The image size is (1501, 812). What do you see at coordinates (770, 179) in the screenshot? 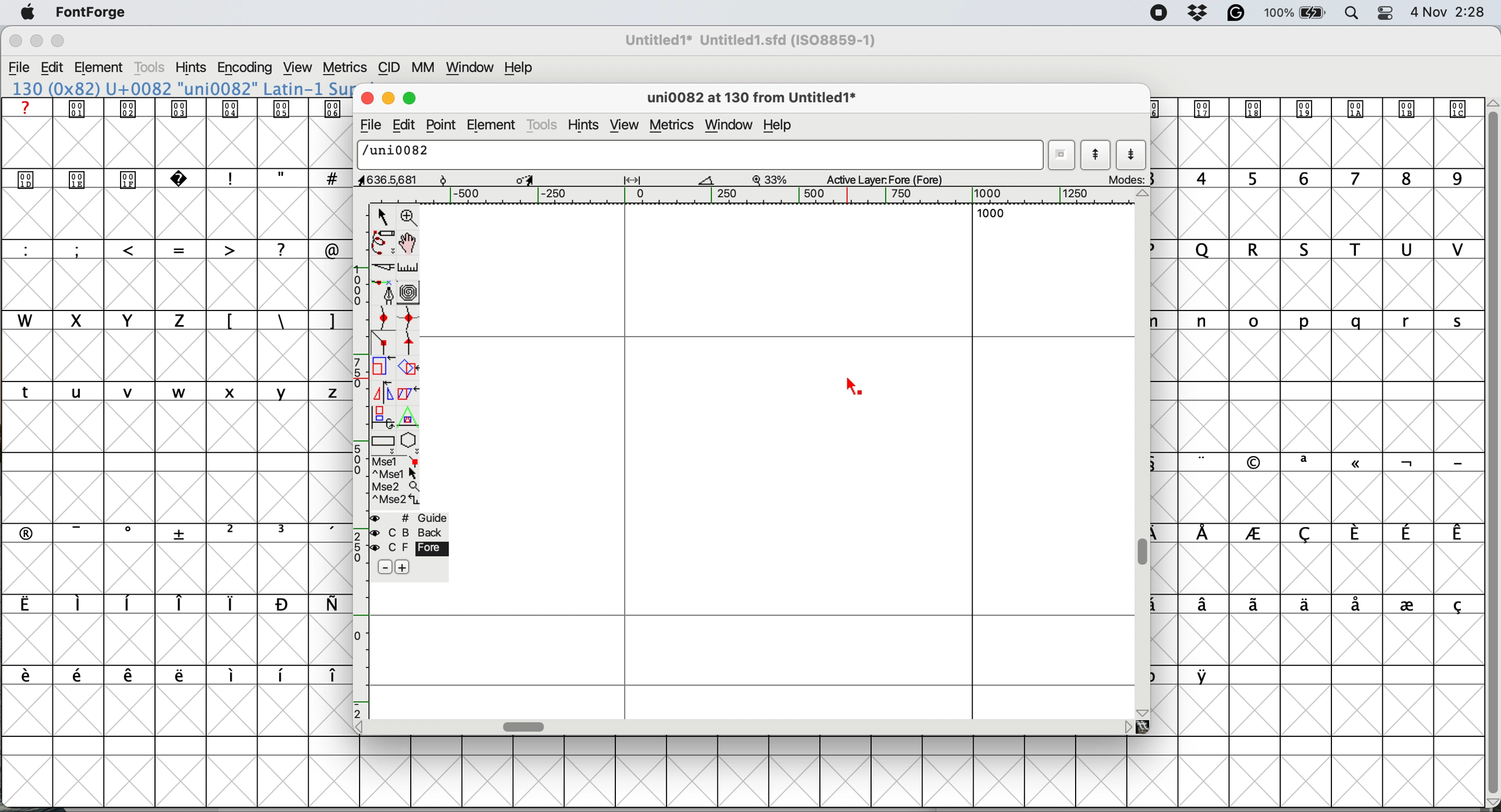
I see `zoom factor` at bounding box center [770, 179].